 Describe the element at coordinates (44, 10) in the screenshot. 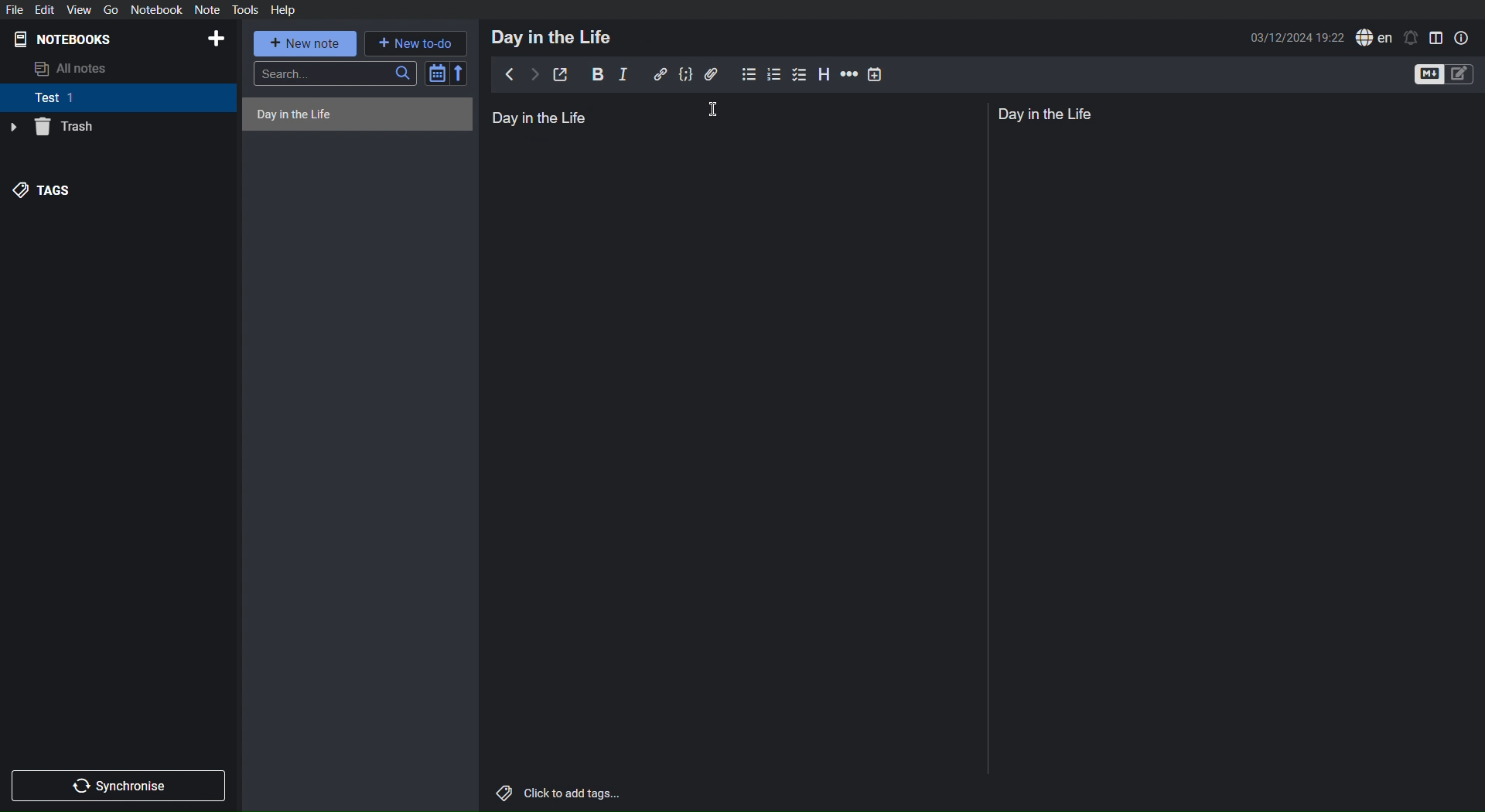

I see `Edit` at that location.